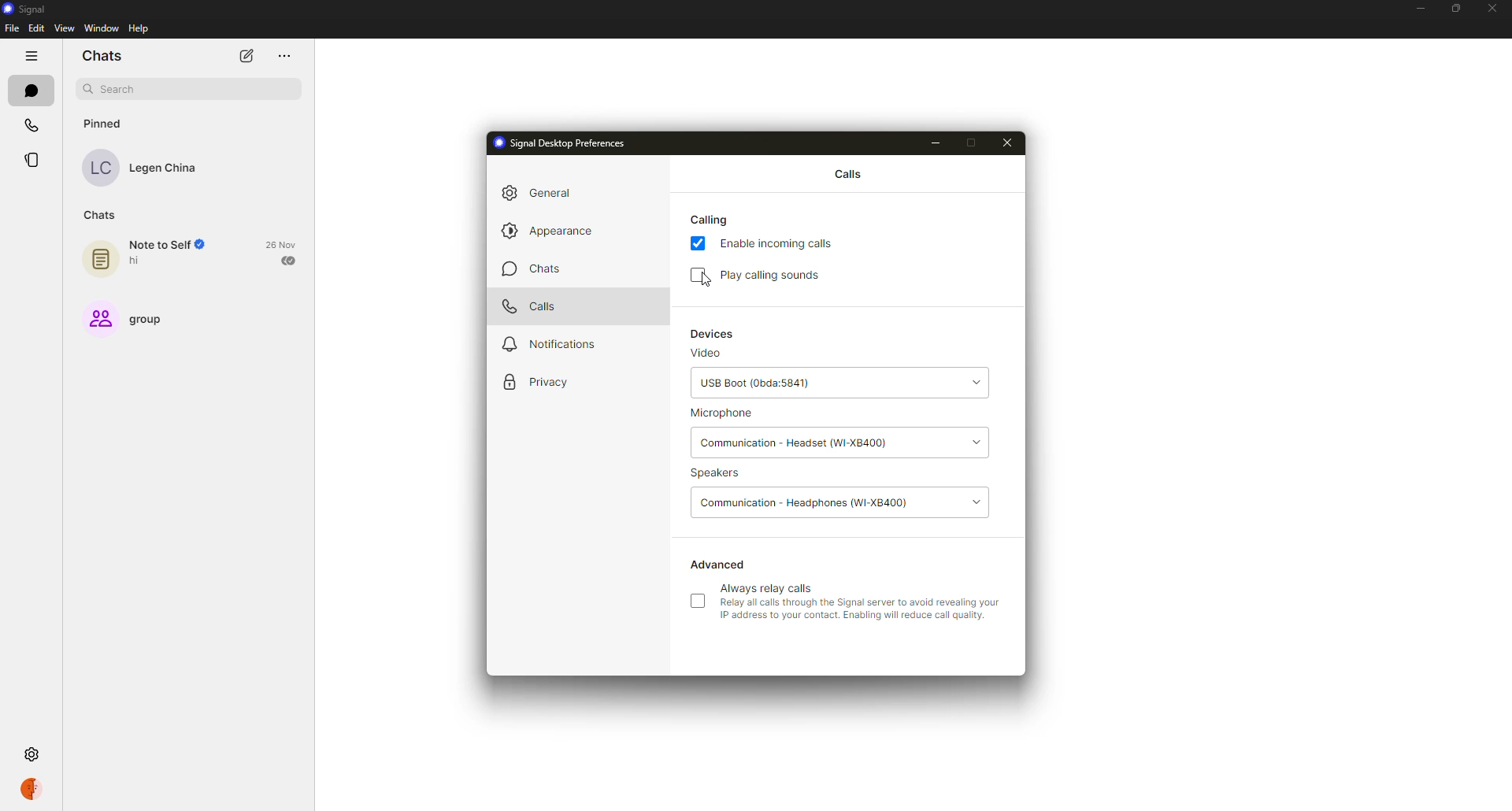 The image size is (1512, 811). Describe the element at coordinates (971, 143) in the screenshot. I see `maximize` at that location.